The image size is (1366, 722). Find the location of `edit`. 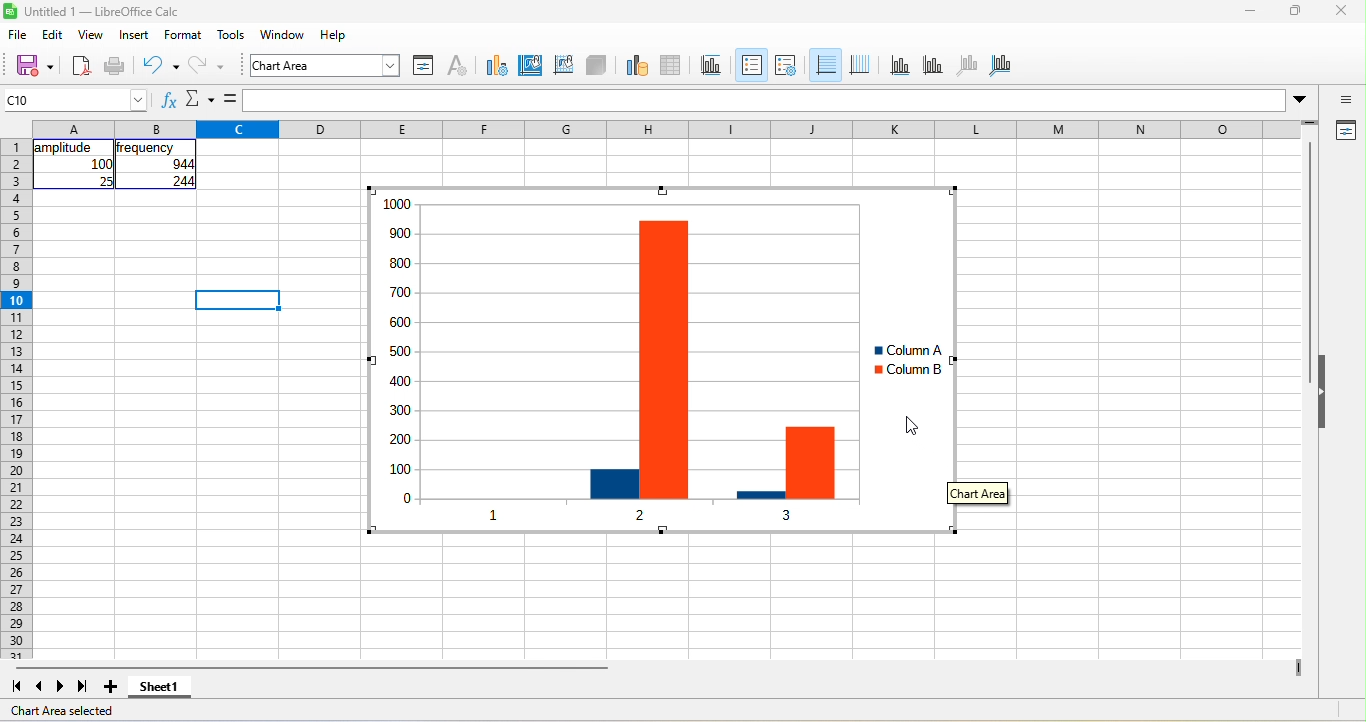

edit is located at coordinates (53, 34).